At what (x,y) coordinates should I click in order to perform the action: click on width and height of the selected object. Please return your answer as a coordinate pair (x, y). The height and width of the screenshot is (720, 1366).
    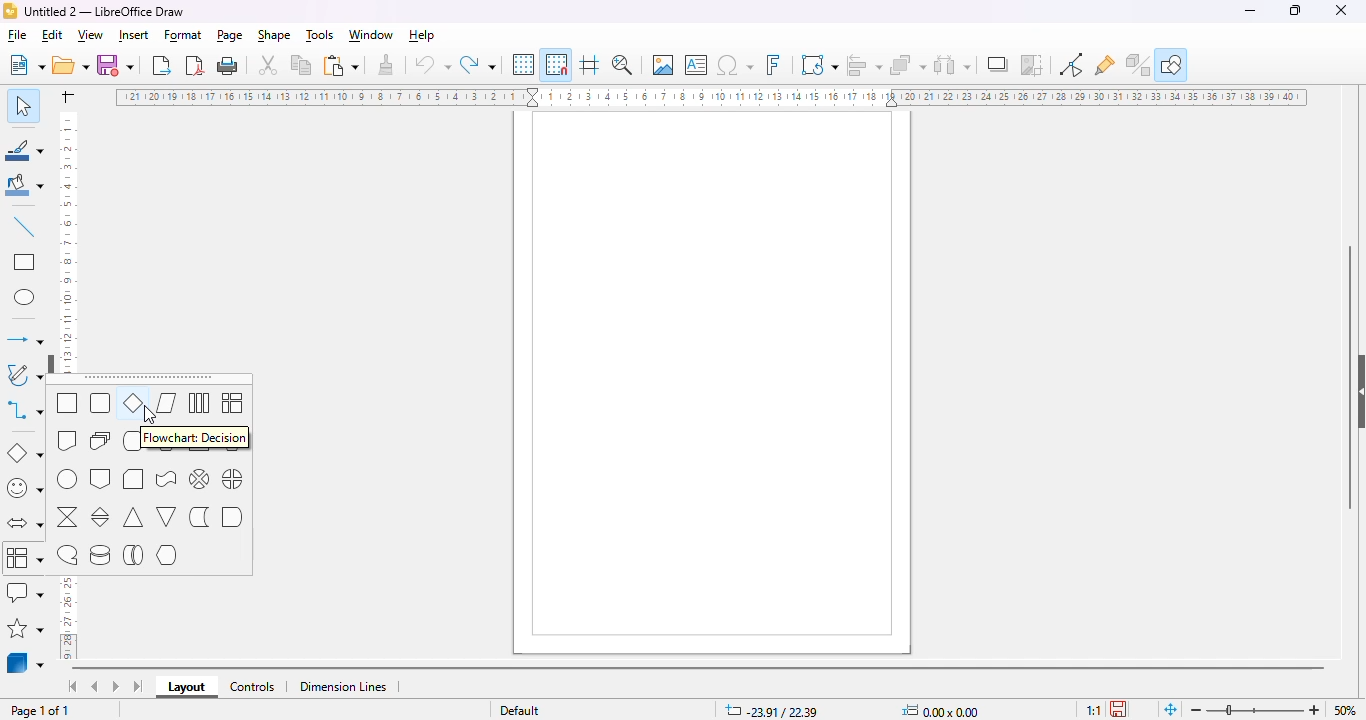
    Looking at the image, I should click on (942, 710).